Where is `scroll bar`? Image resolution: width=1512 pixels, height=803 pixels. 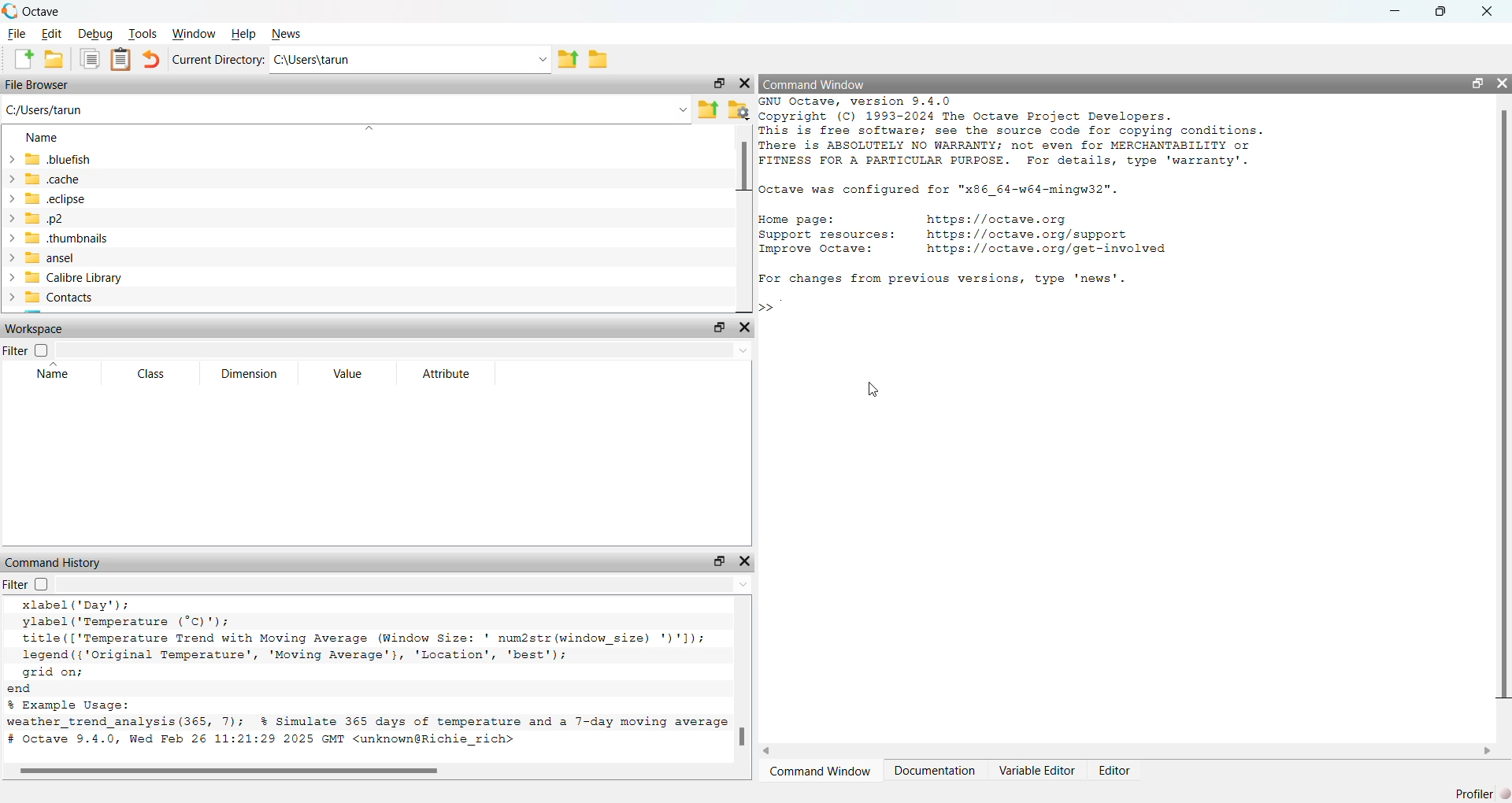 scroll bar is located at coordinates (370, 769).